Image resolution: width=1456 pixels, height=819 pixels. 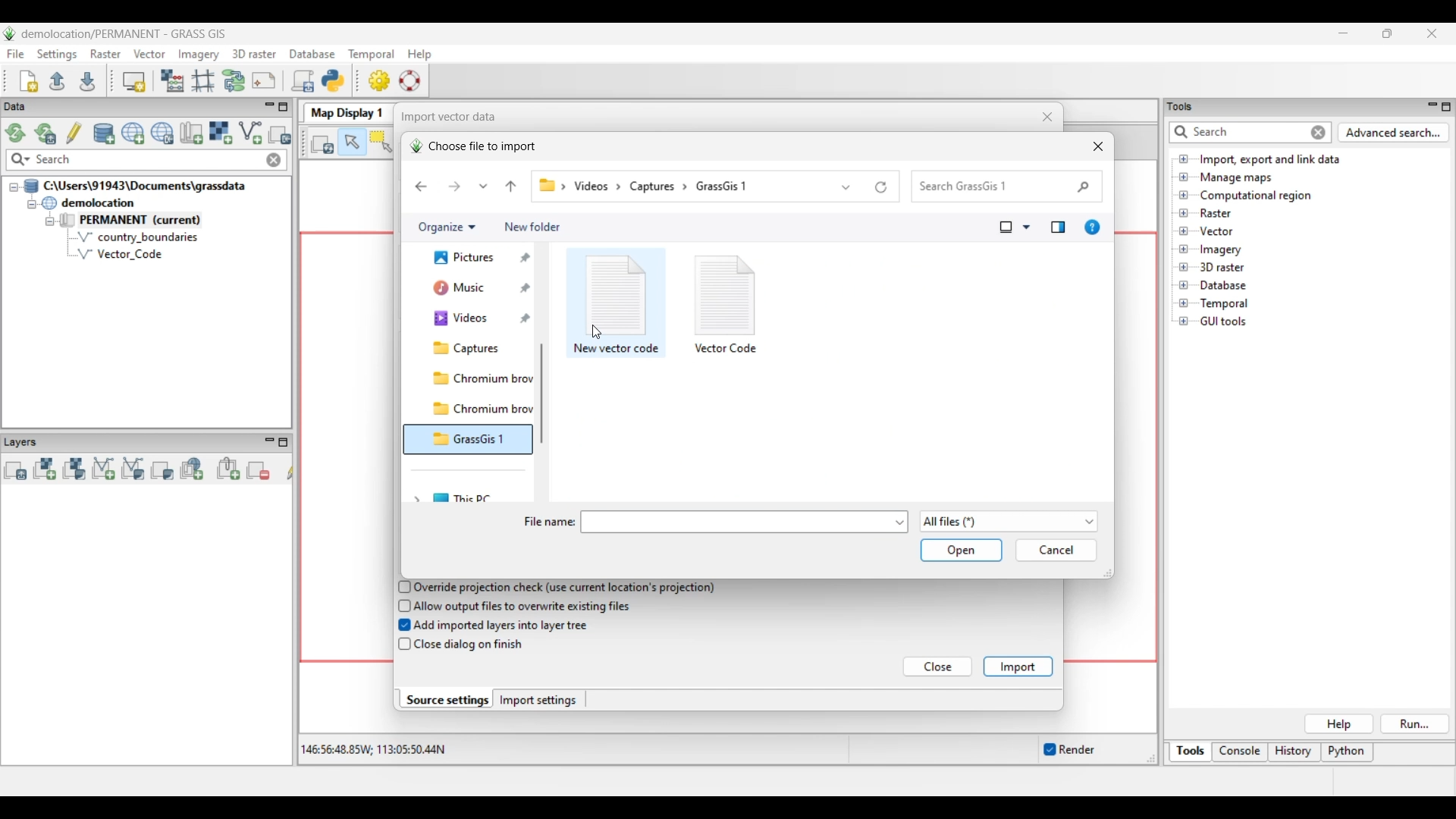 What do you see at coordinates (57, 80) in the screenshot?
I see `Open existing workspace file` at bounding box center [57, 80].